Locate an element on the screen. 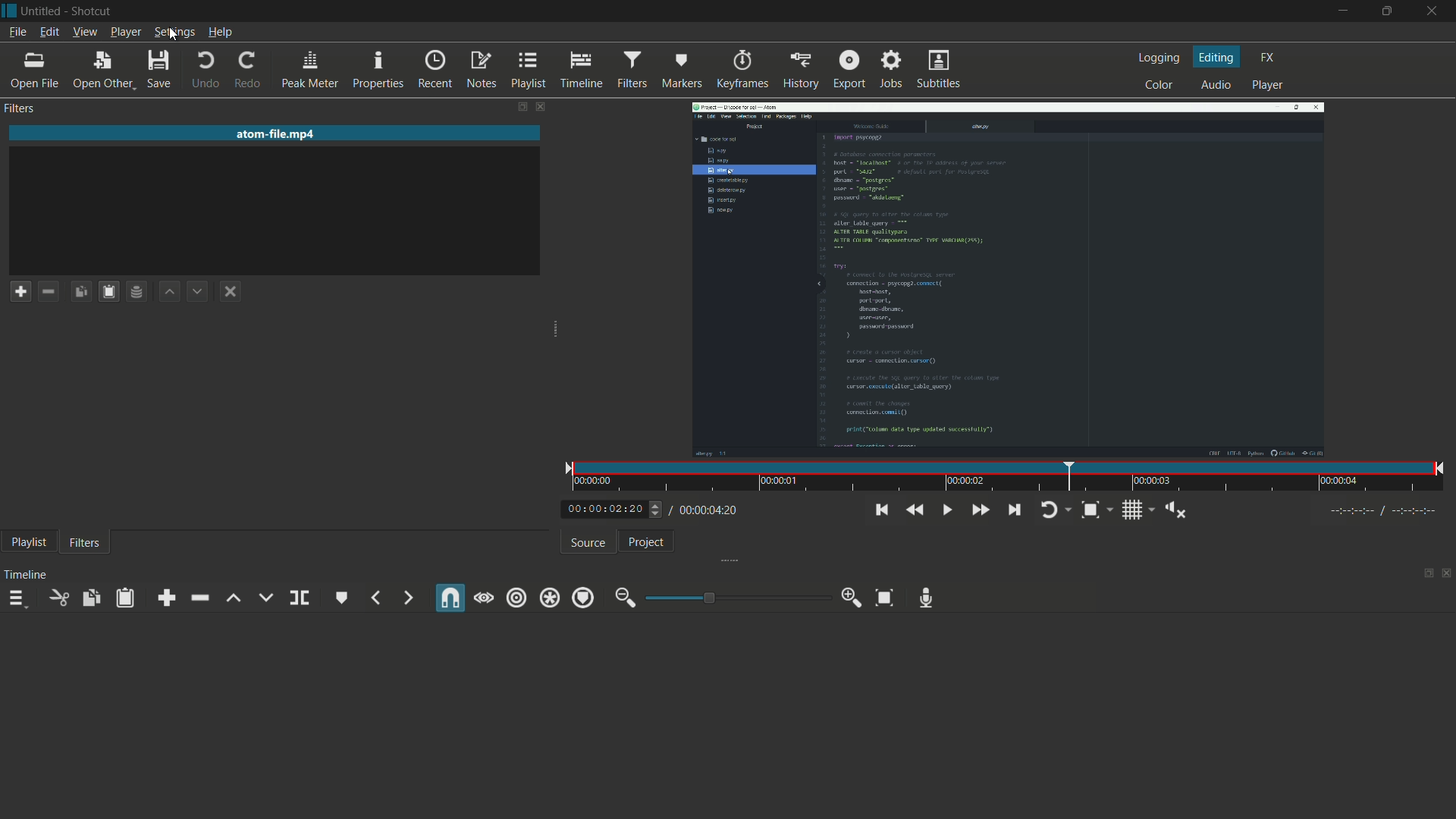 This screenshot has width=1456, height=819. notes is located at coordinates (482, 71).